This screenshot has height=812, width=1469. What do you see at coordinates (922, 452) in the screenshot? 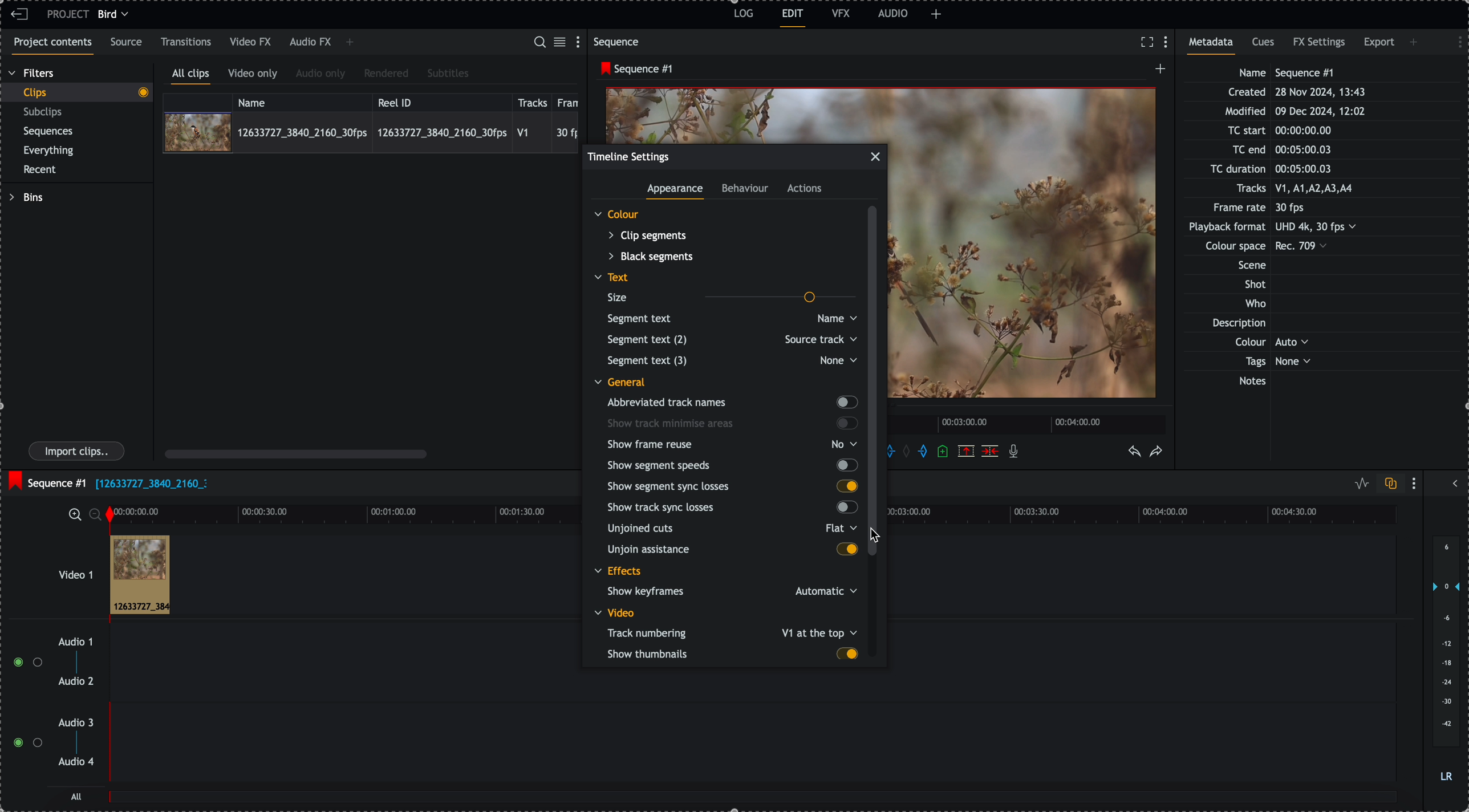
I see `add 'out' mark` at bounding box center [922, 452].